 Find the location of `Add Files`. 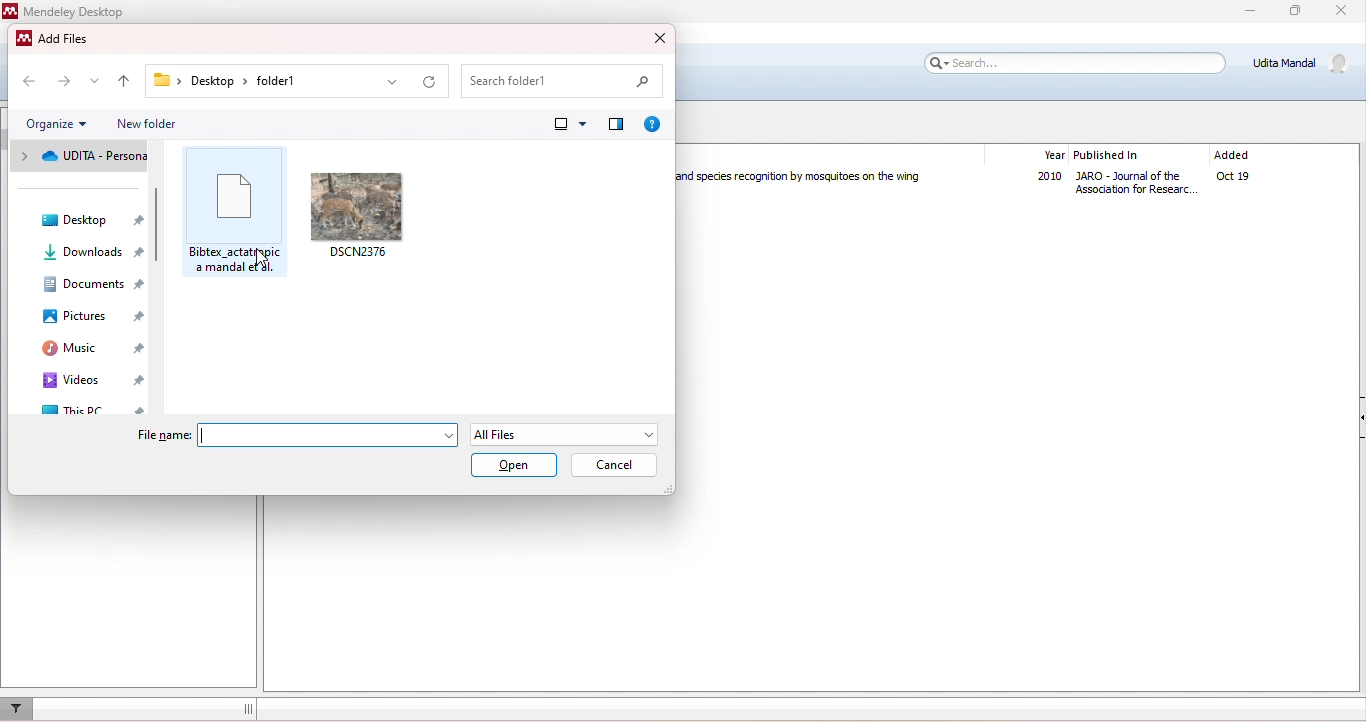

Add Files is located at coordinates (63, 38).